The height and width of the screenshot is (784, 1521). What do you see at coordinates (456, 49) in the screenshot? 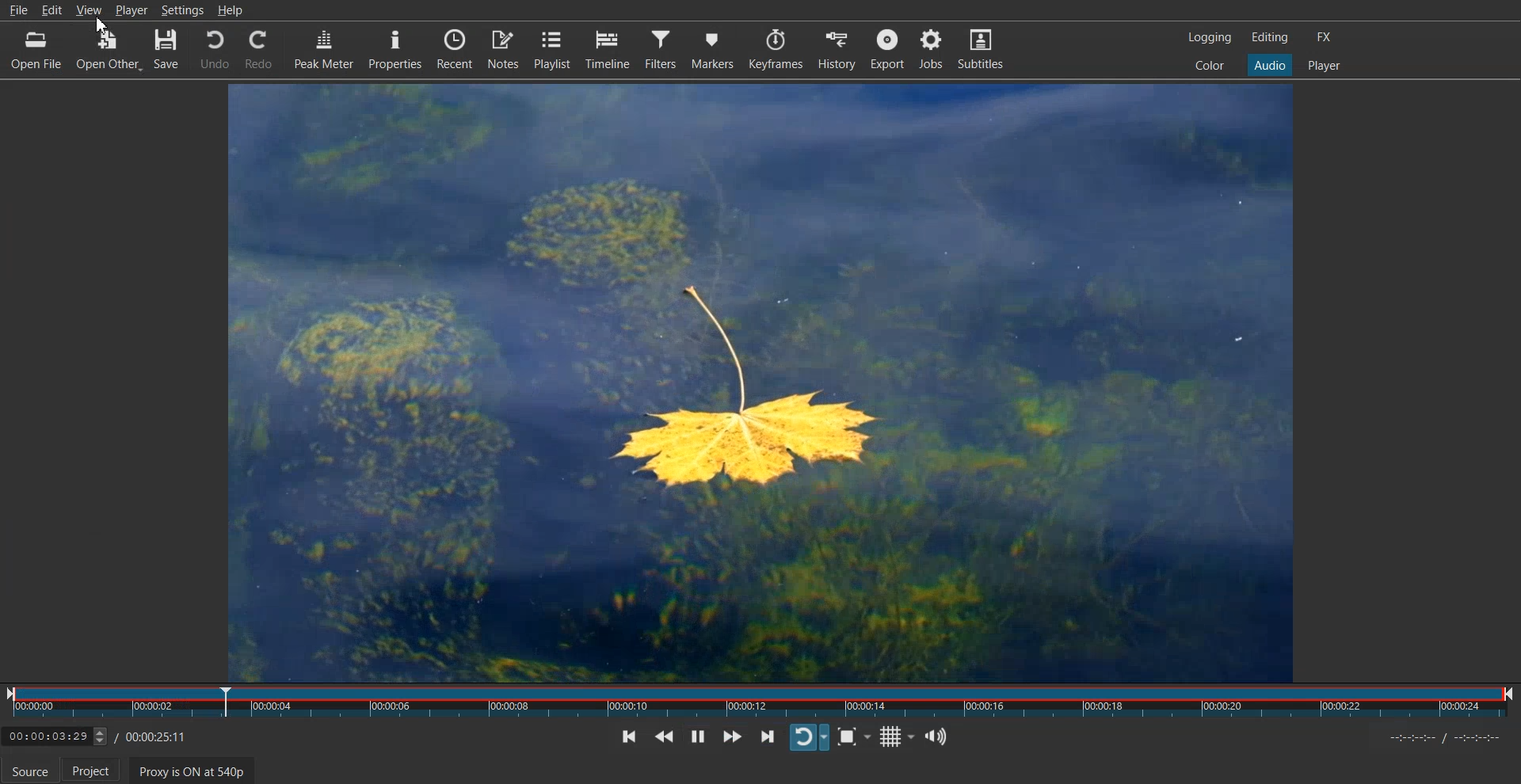
I see `Recent` at bounding box center [456, 49].